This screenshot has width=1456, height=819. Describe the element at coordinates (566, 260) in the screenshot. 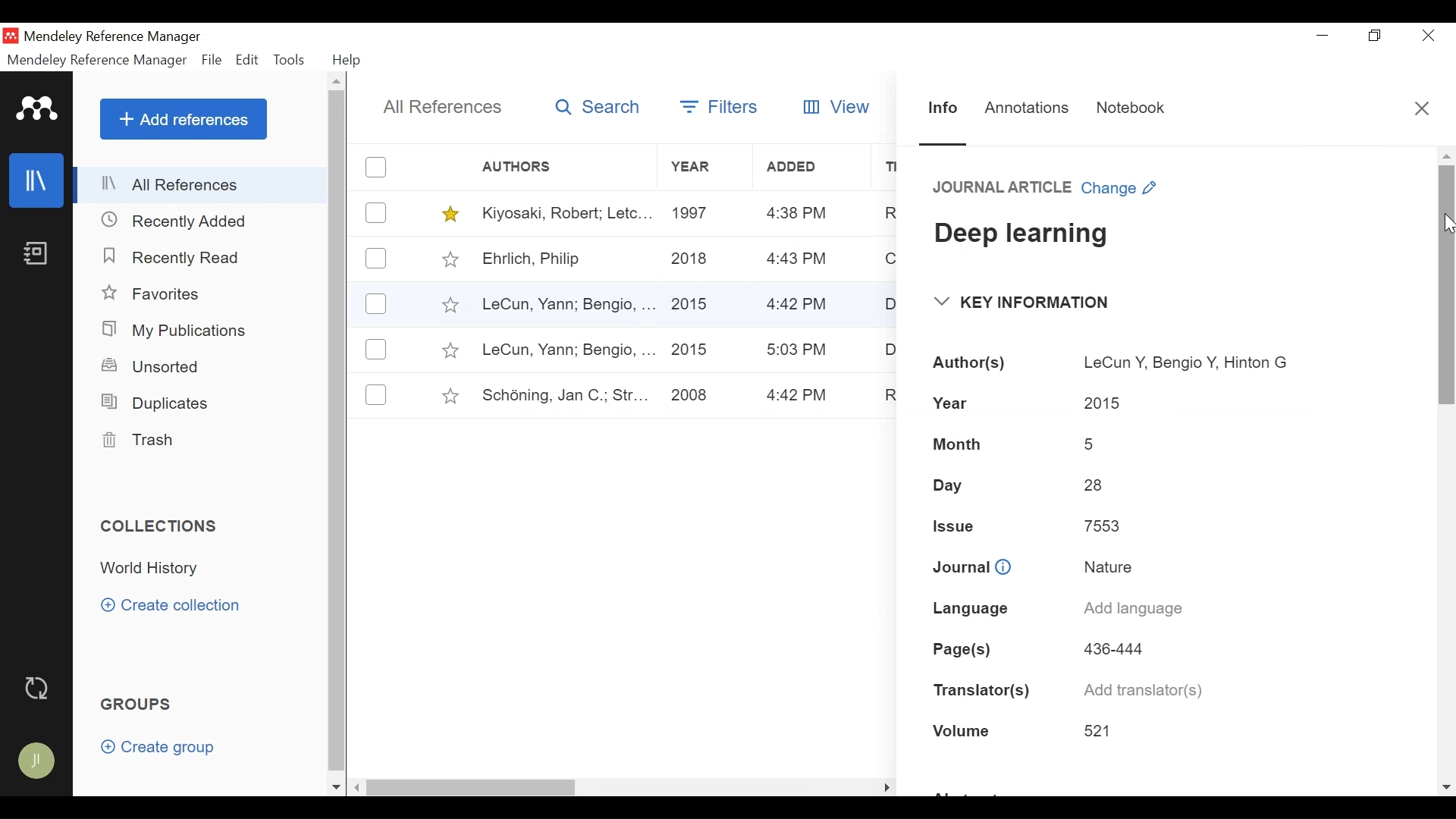

I see `Ehrlich, Philip` at that location.